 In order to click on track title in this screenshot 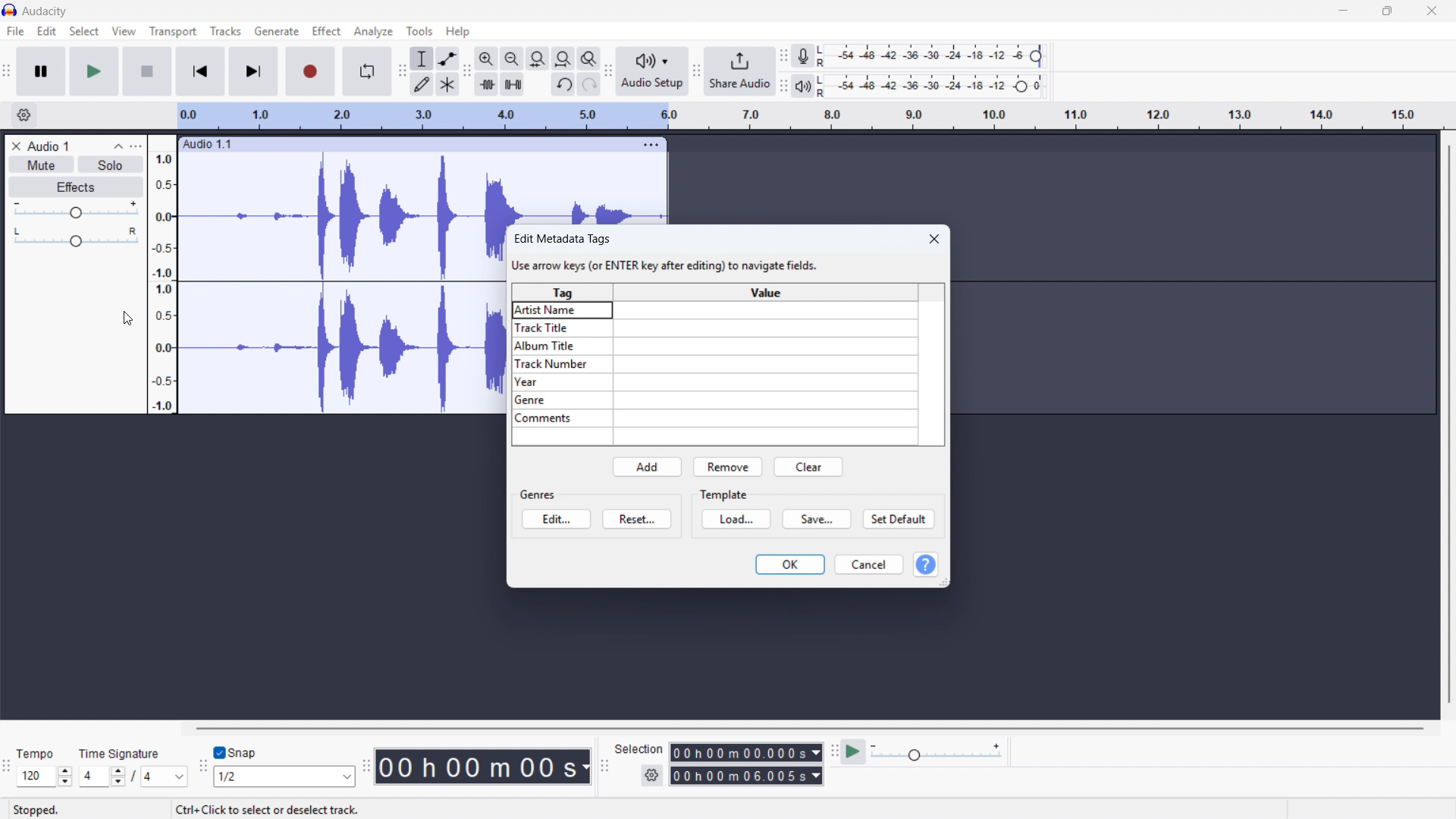, I will do `click(714, 328)`.